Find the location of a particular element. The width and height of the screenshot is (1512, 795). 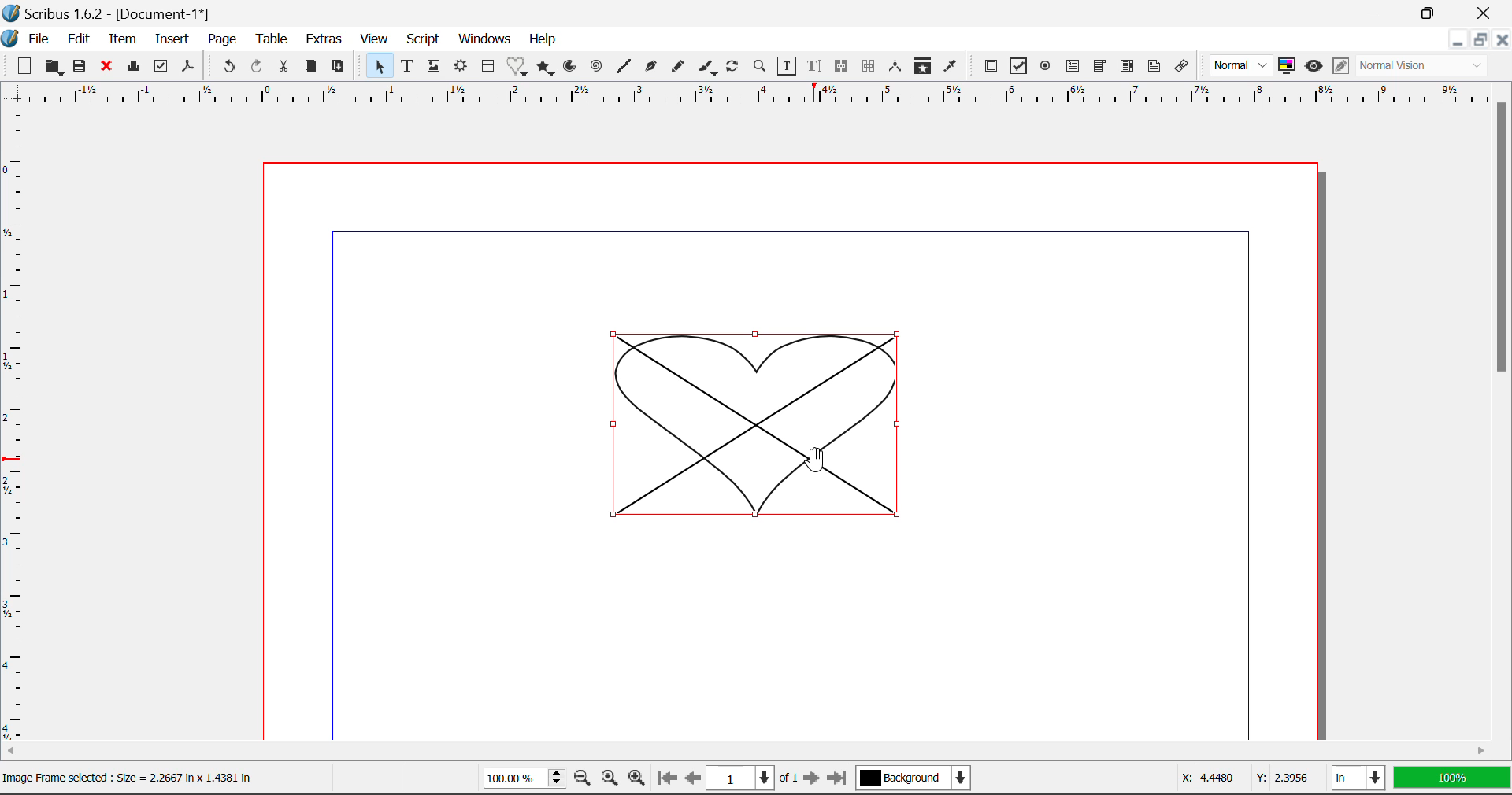

Vertical Page Margins is located at coordinates (743, 97).